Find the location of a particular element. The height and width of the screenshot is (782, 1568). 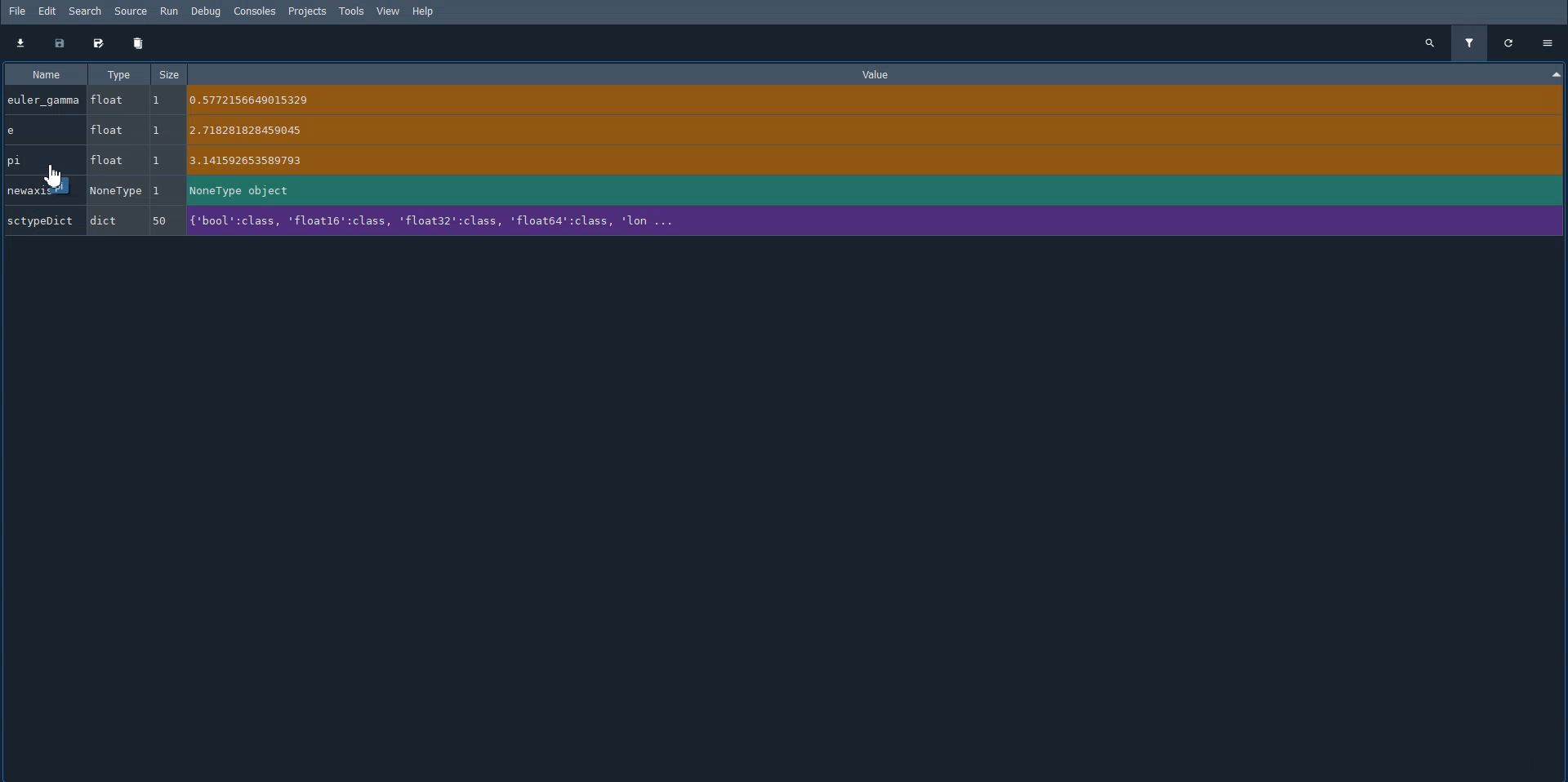

Projects is located at coordinates (306, 11).